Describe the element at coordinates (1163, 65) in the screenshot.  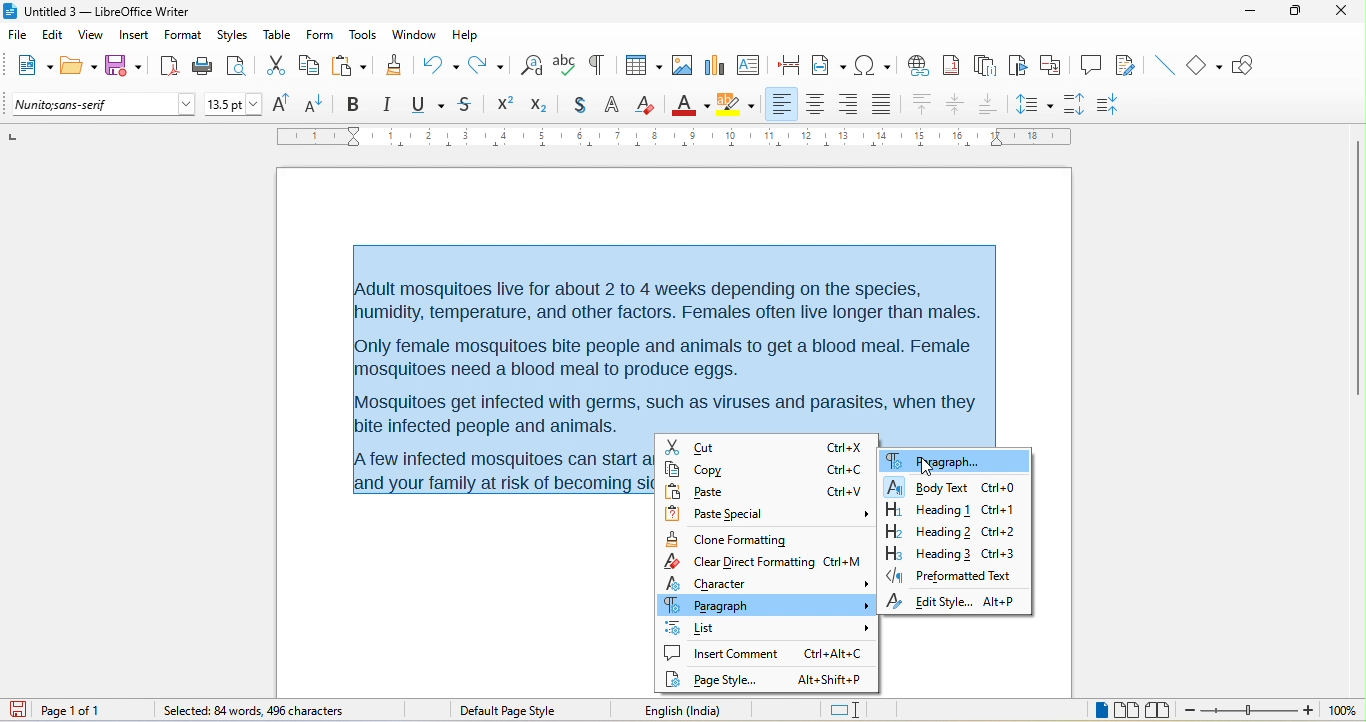
I see `insert line` at that location.